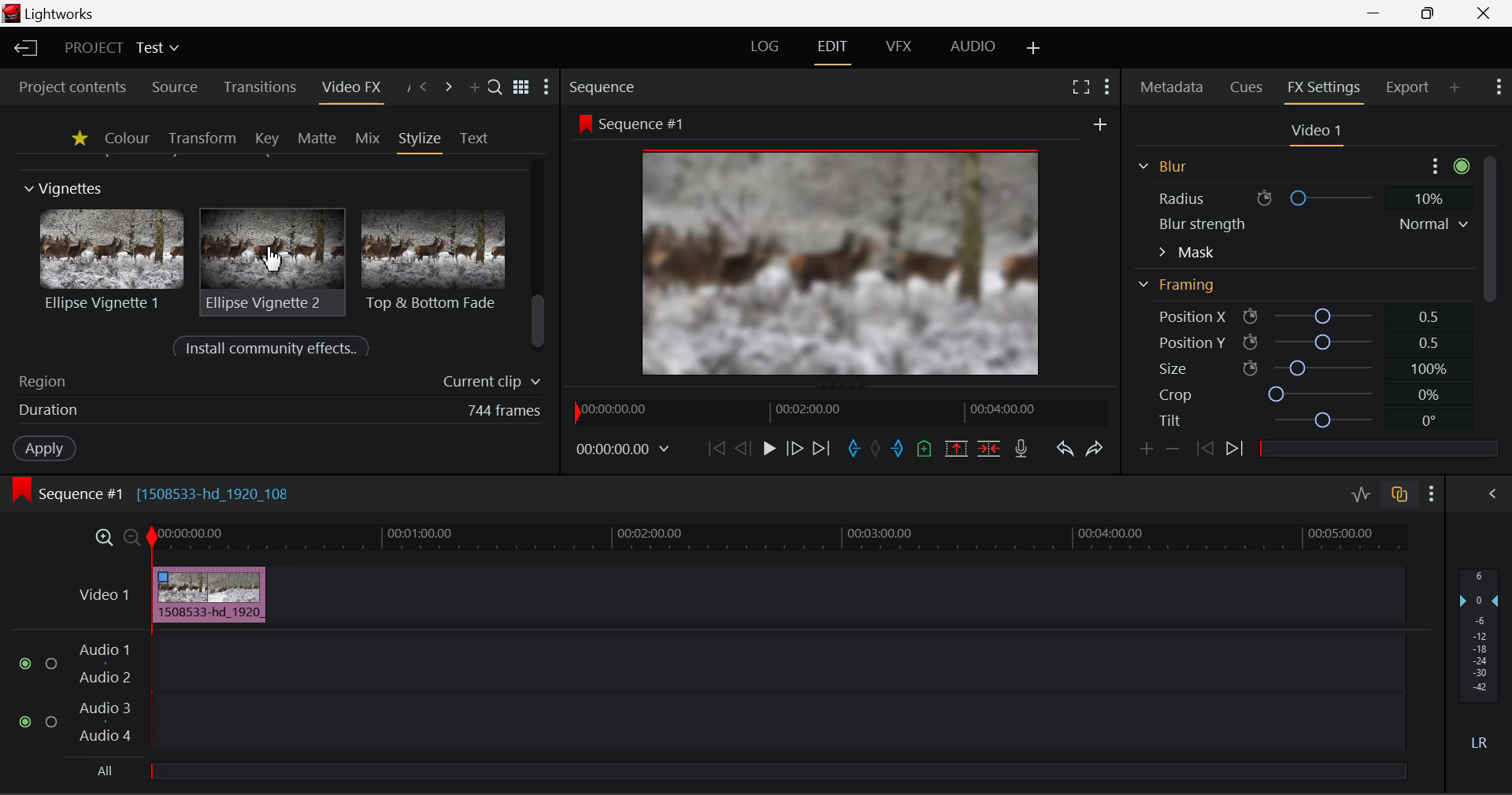 This screenshot has width=1512, height=795. I want to click on Video 1 Settings, so click(1317, 132).